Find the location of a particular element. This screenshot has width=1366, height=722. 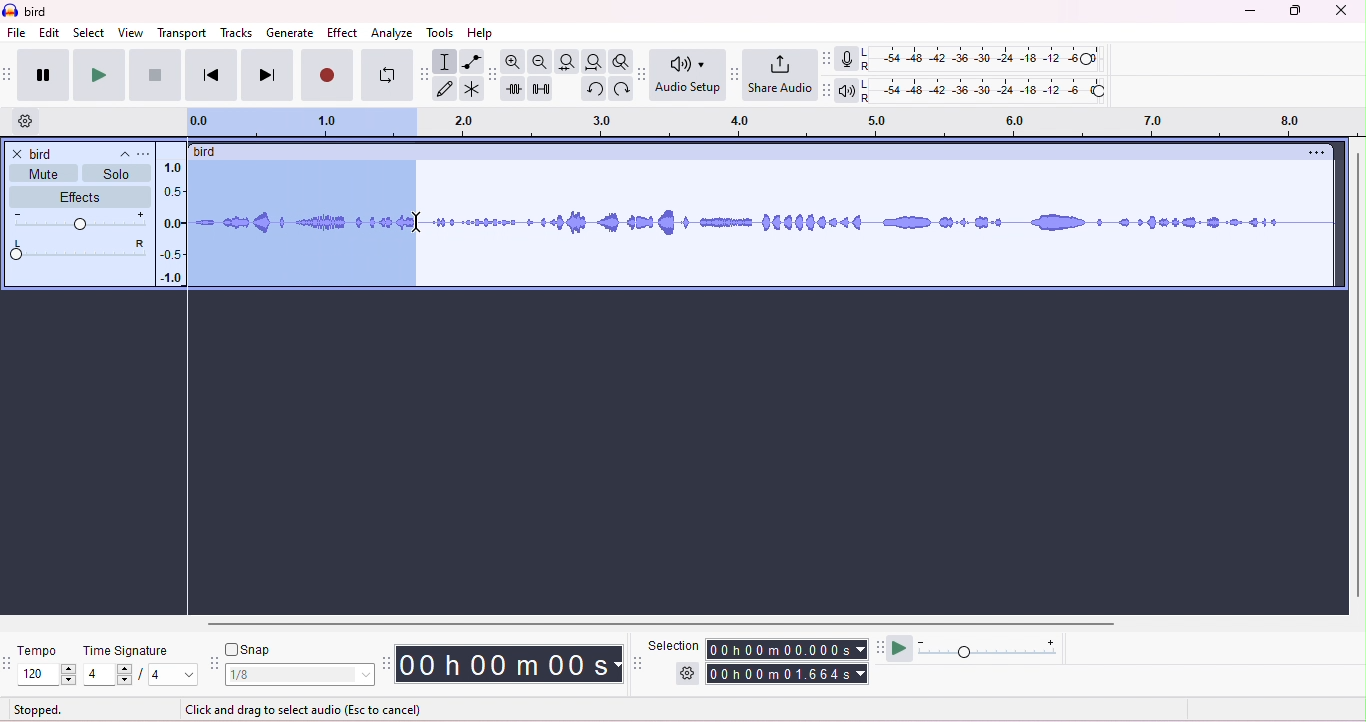

snap is located at coordinates (249, 648).